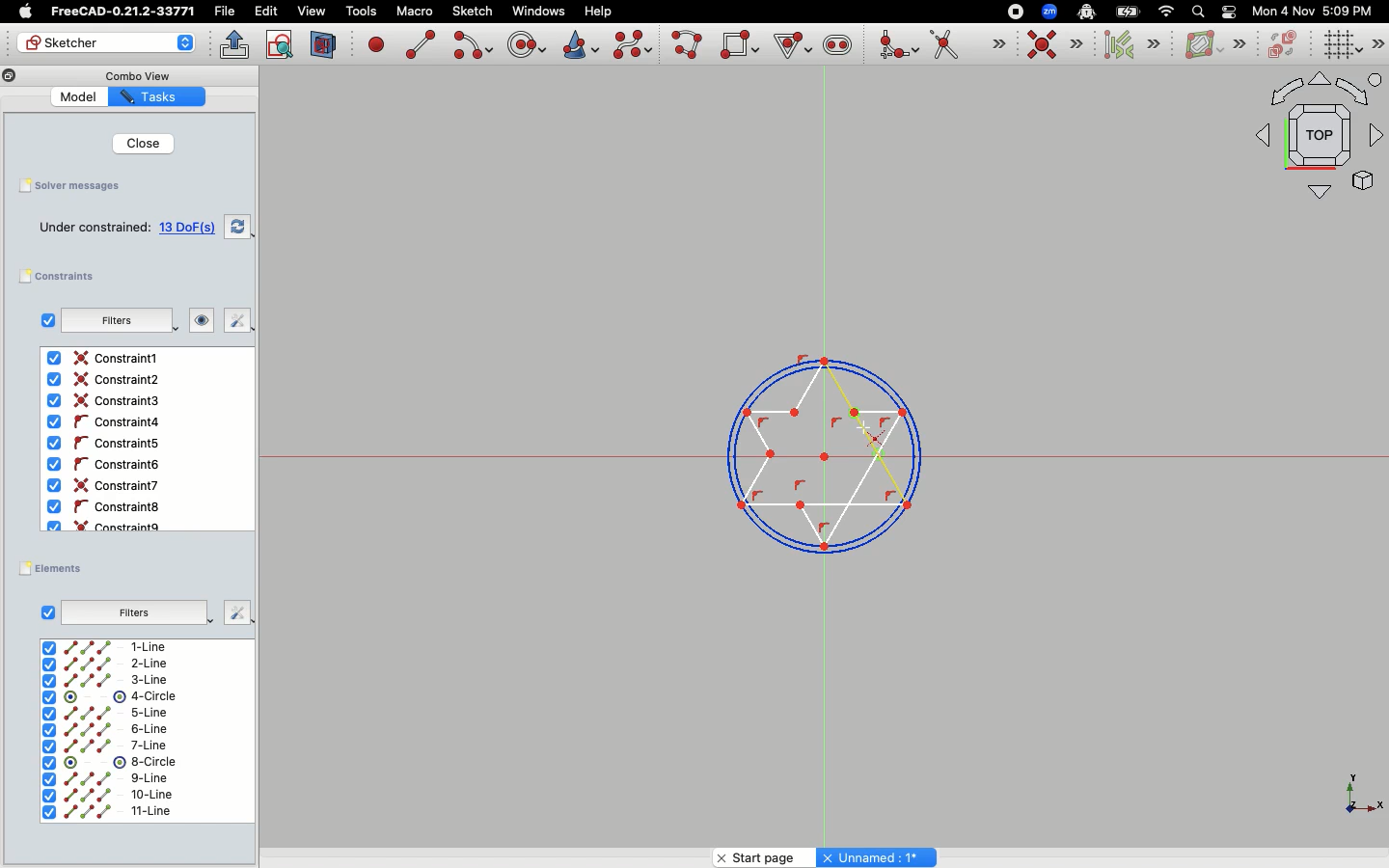 The image size is (1389, 868). What do you see at coordinates (108, 43) in the screenshot?
I see `Sketcher` at bounding box center [108, 43].